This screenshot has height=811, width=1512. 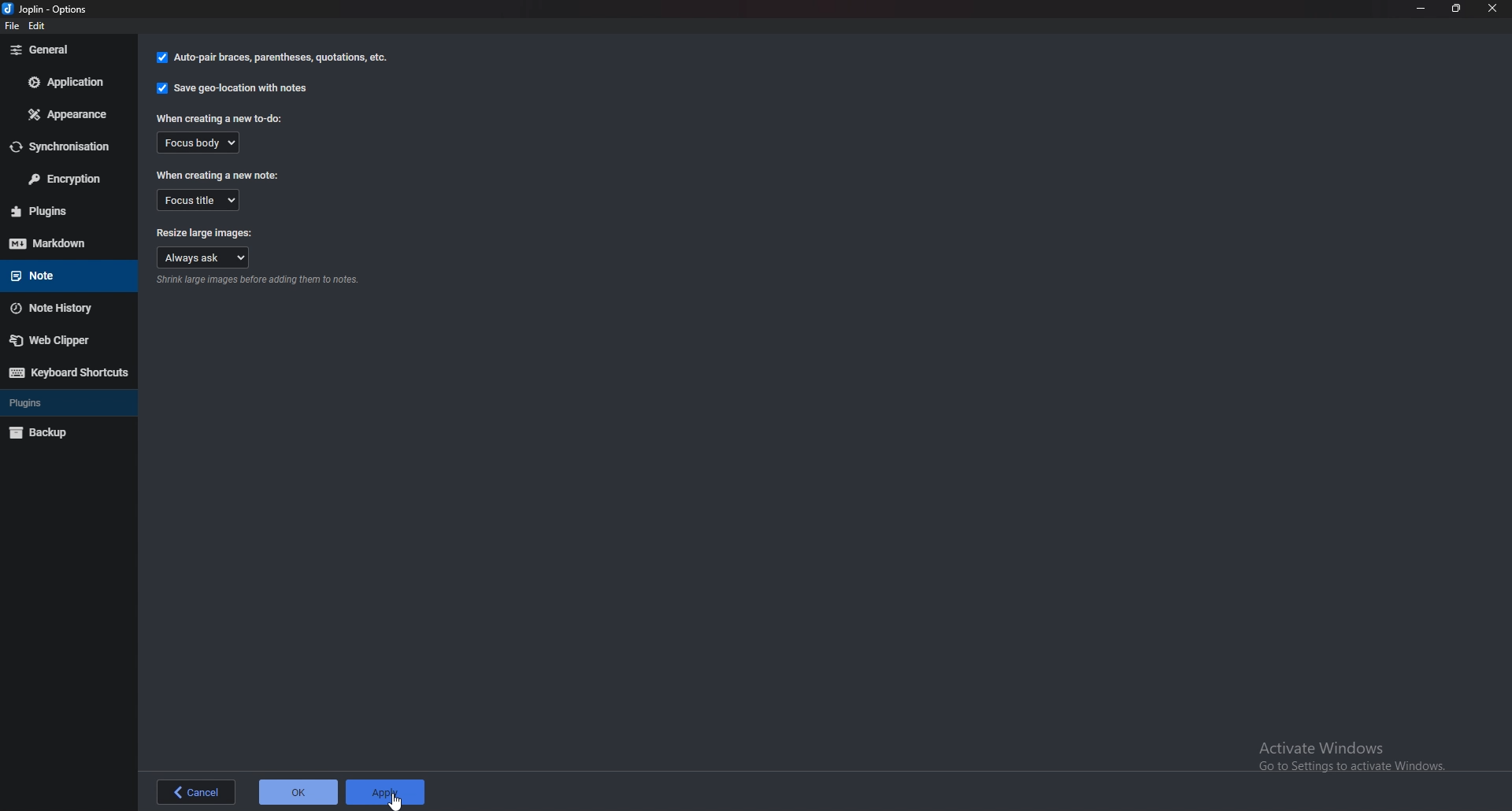 I want to click on edit, so click(x=40, y=28).